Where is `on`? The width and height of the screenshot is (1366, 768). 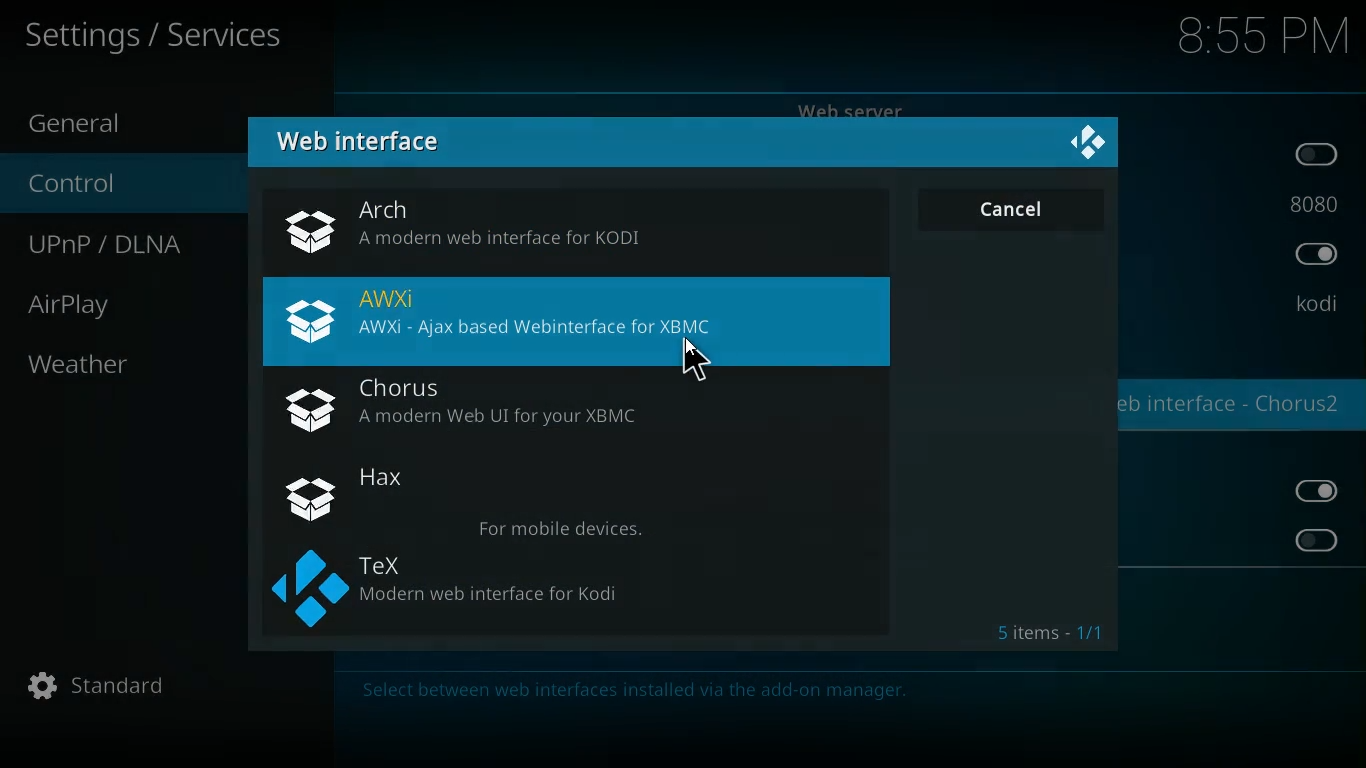 on is located at coordinates (1316, 257).